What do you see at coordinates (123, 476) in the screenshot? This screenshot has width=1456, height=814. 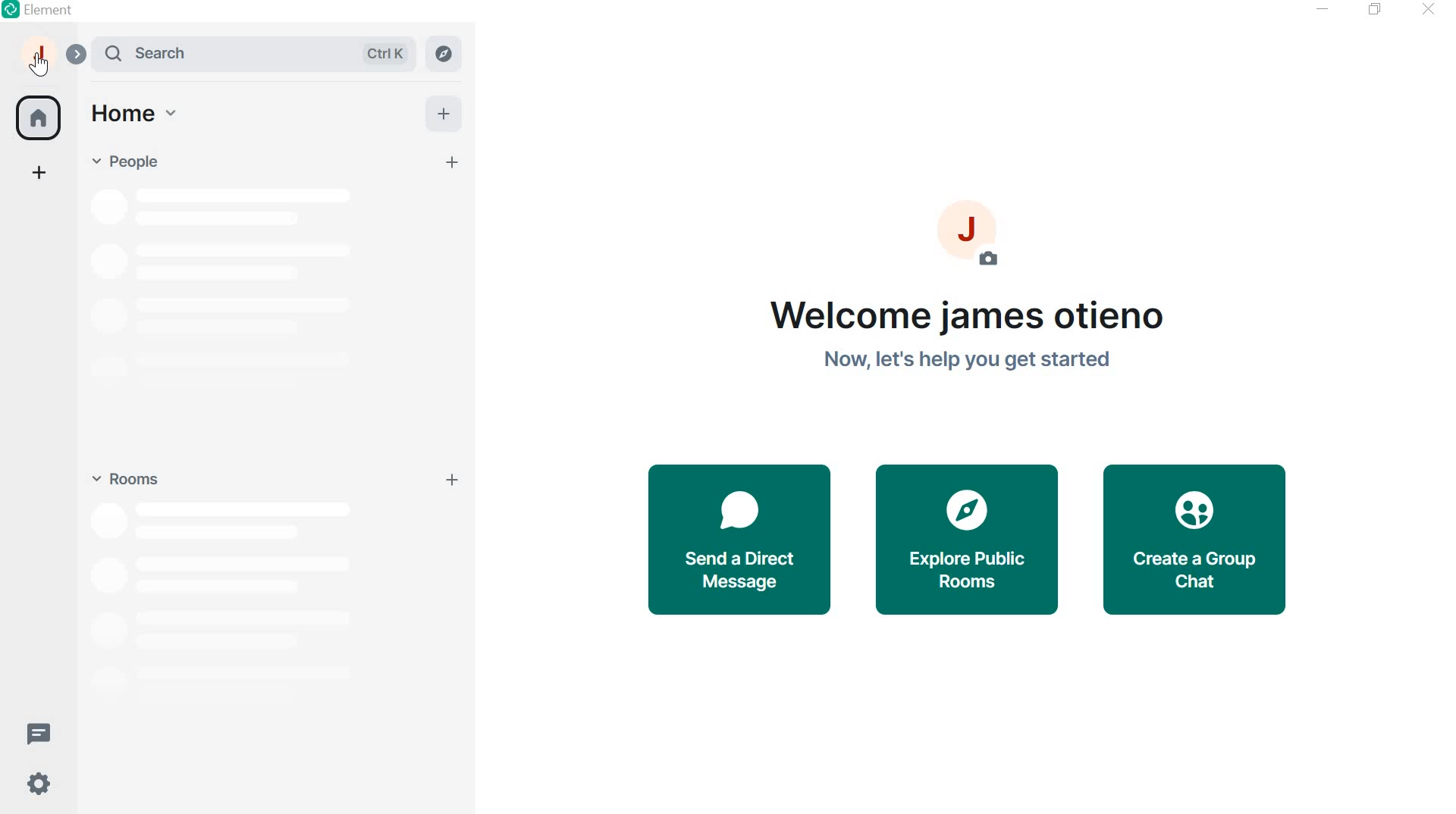 I see `ROOMS` at bounding box center [123, 476].